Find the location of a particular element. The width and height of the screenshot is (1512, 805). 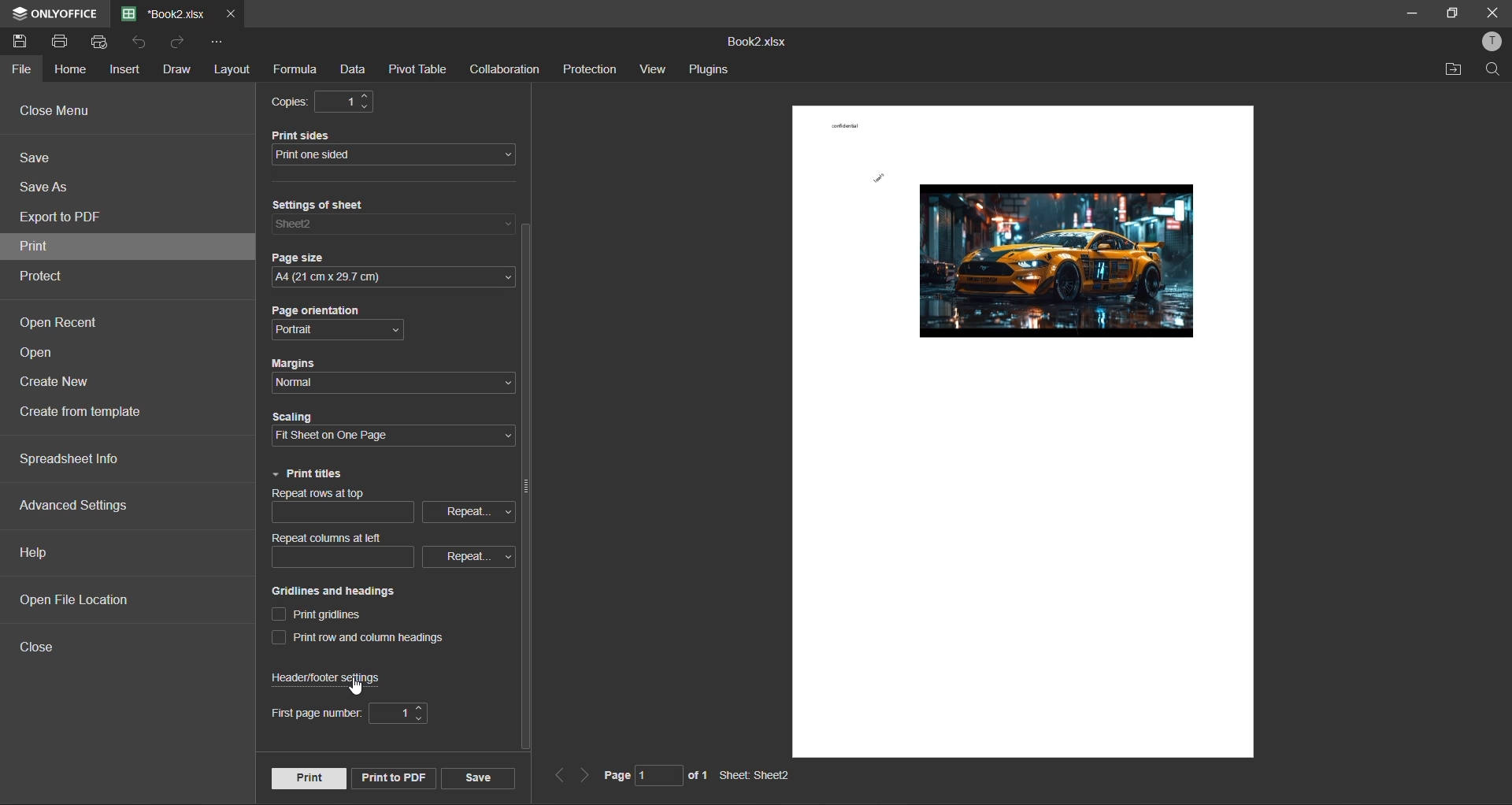

Sheet: Sheet2 is located at coordinates (755, 776).